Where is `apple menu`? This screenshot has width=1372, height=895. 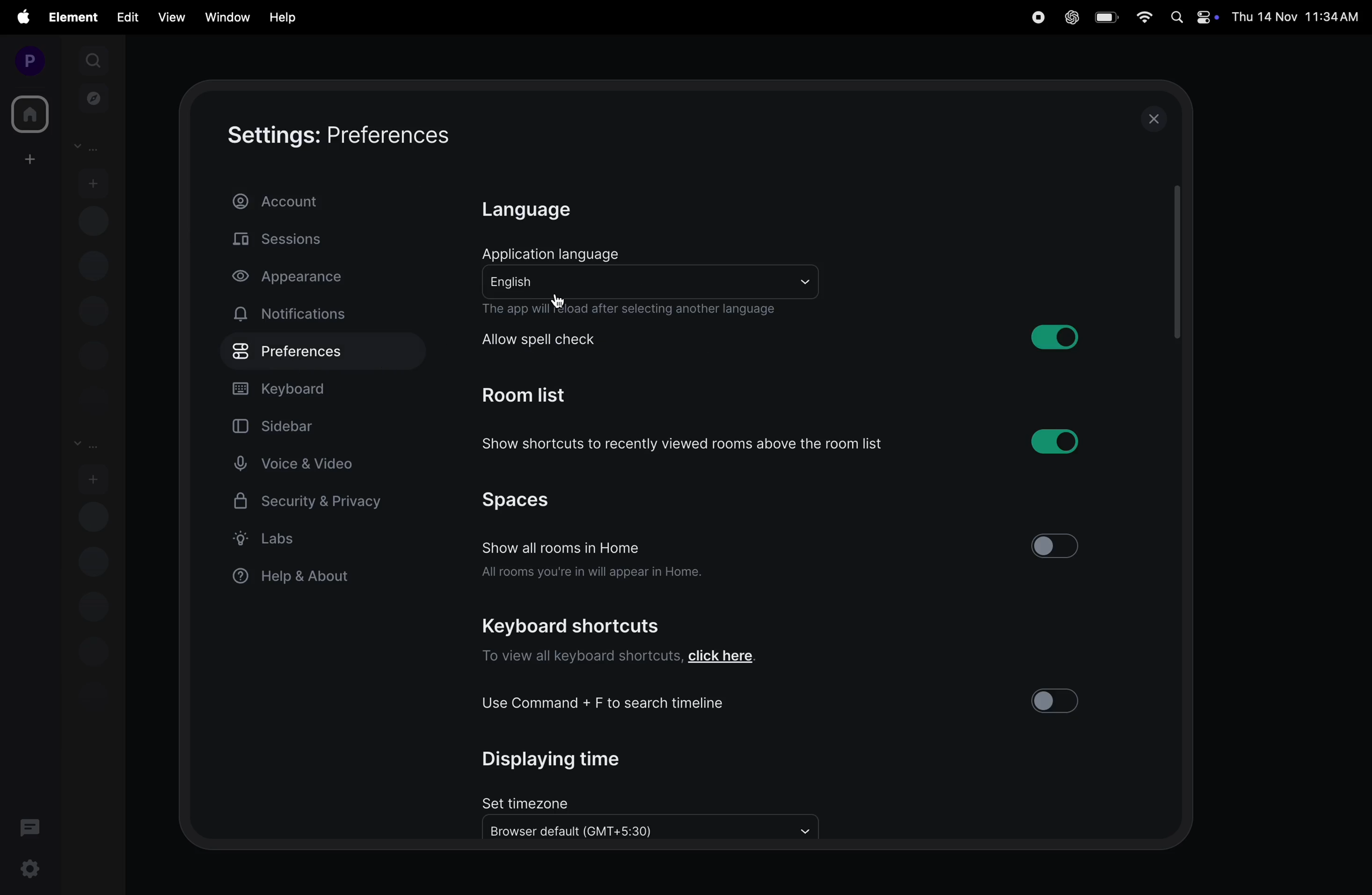
apple menu is located at coordinates (17, 18).